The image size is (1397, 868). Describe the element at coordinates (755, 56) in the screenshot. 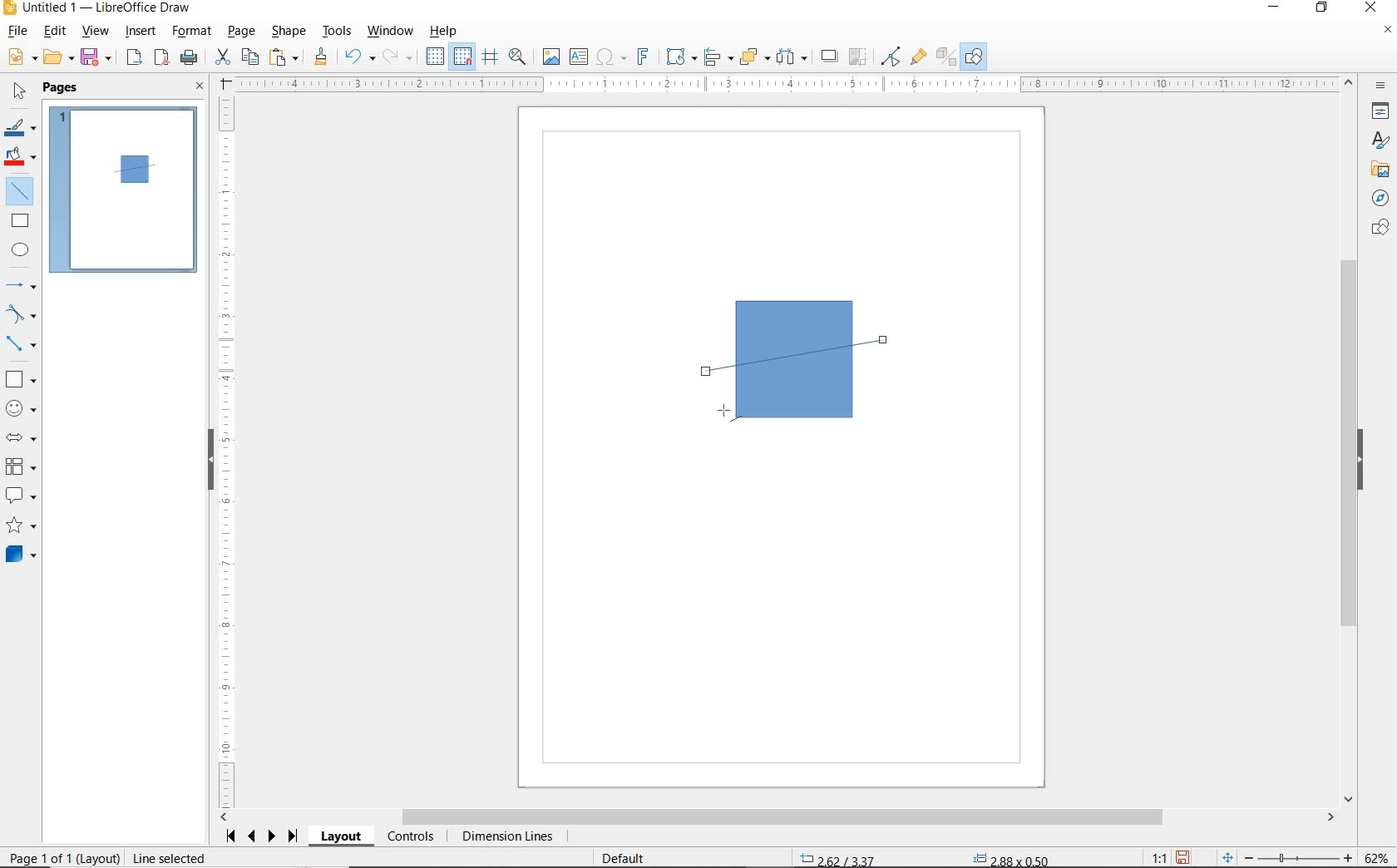

I see `ARRANGE` at that location.